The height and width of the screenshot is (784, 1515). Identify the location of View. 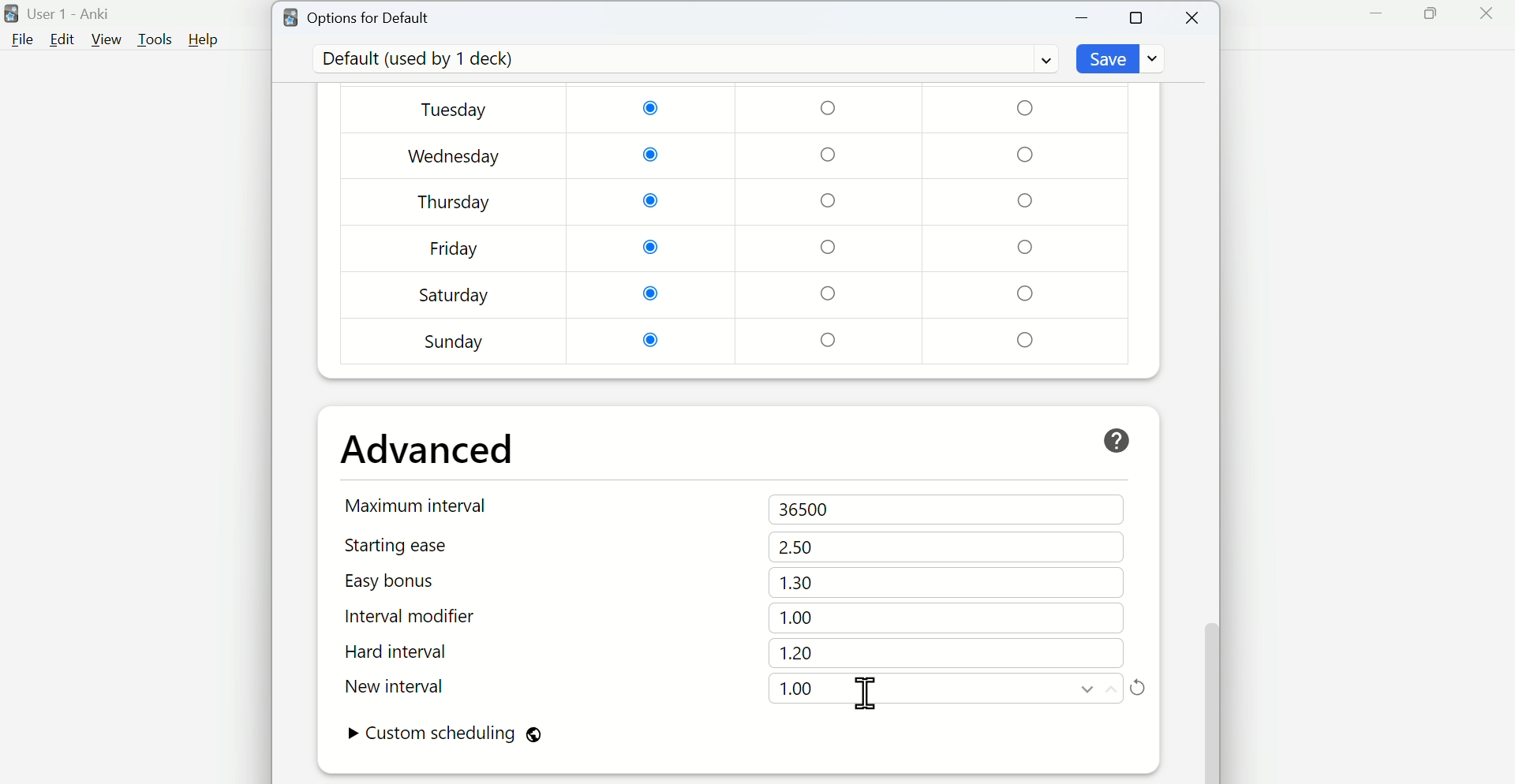
(107, 39).